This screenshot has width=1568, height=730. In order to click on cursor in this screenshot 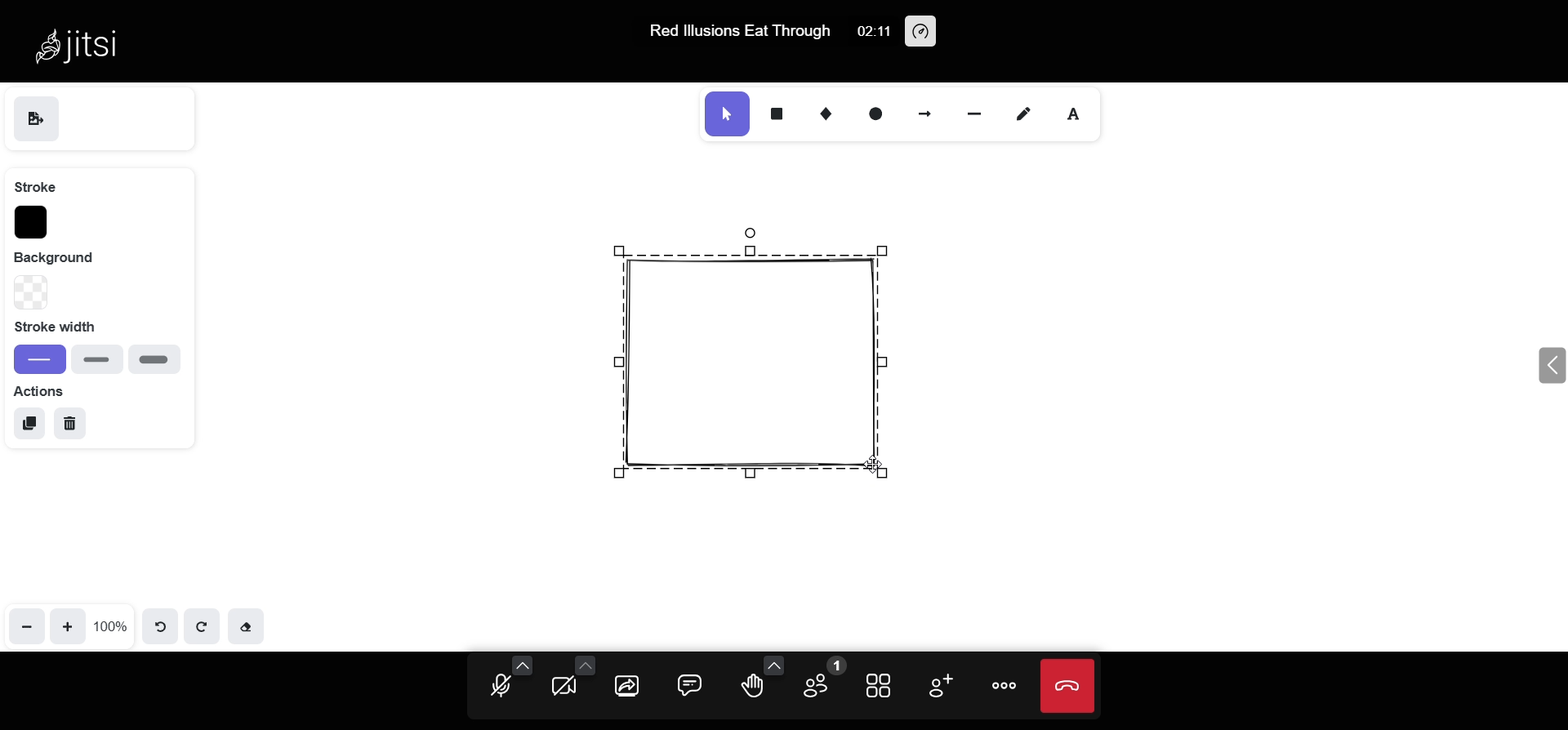, I will do `click(868, 466)`.